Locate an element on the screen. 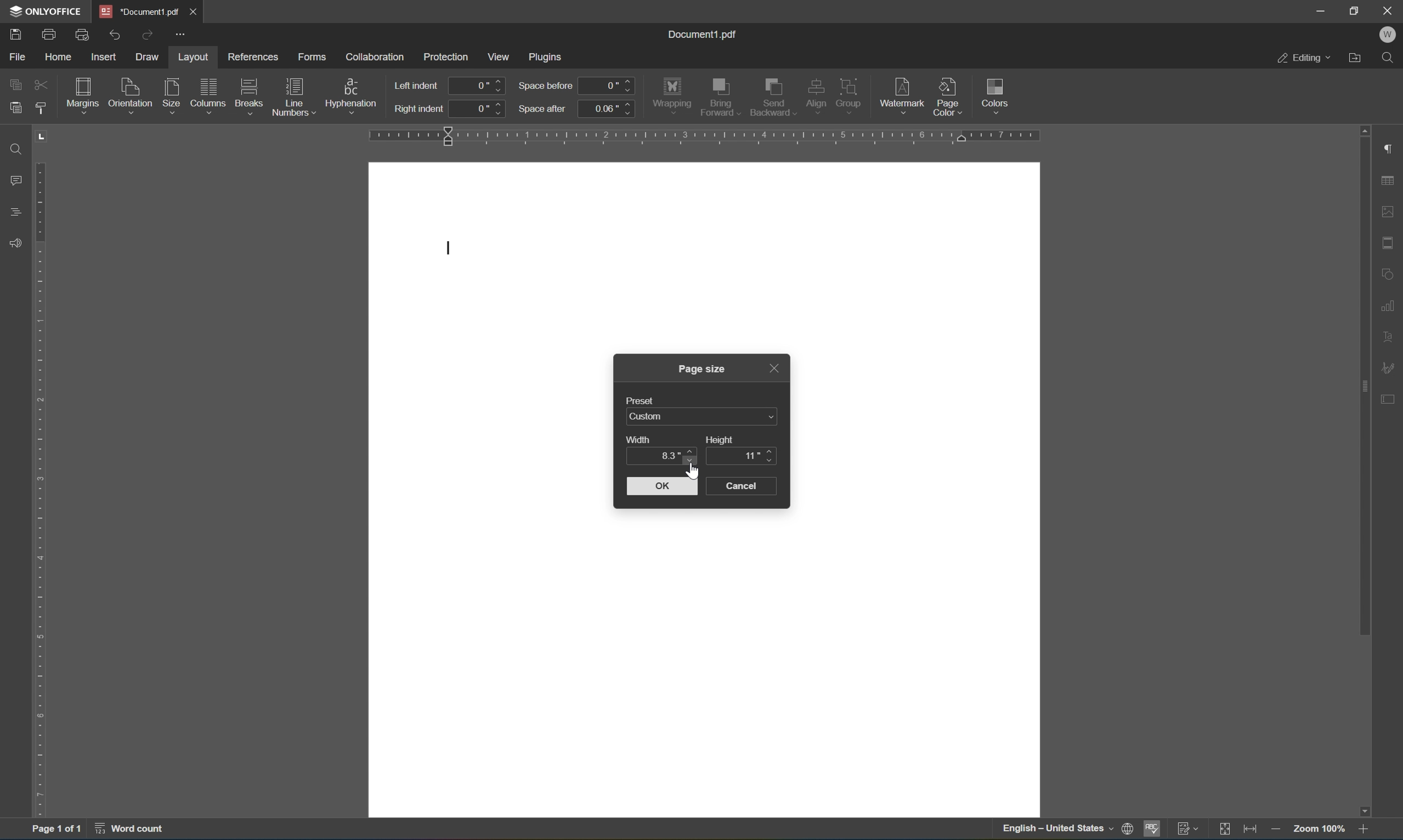 The width and height of the screenshot is (1403, 840). field is located at coordinates (41, 85).